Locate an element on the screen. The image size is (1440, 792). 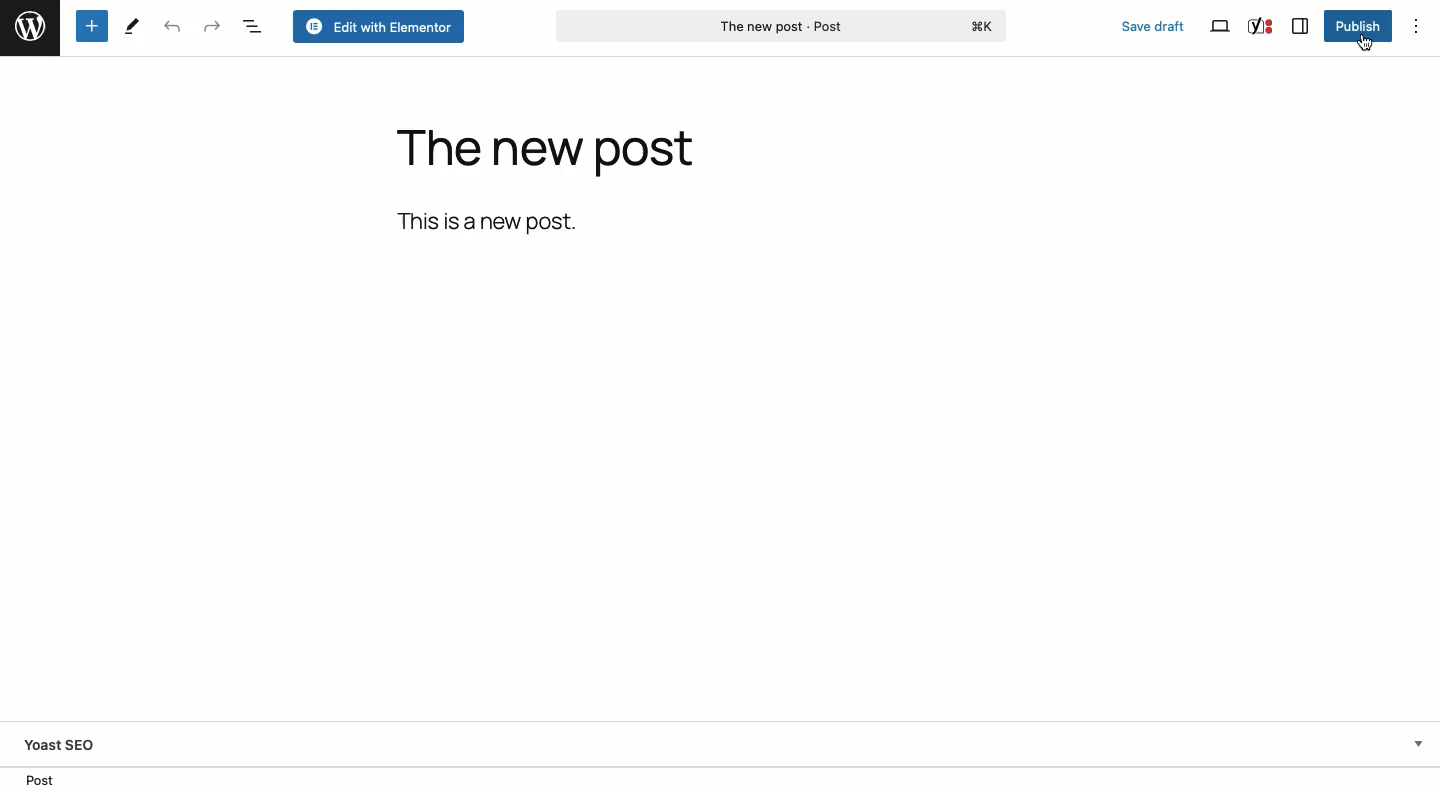
View is located at coordinates (1220, 29).